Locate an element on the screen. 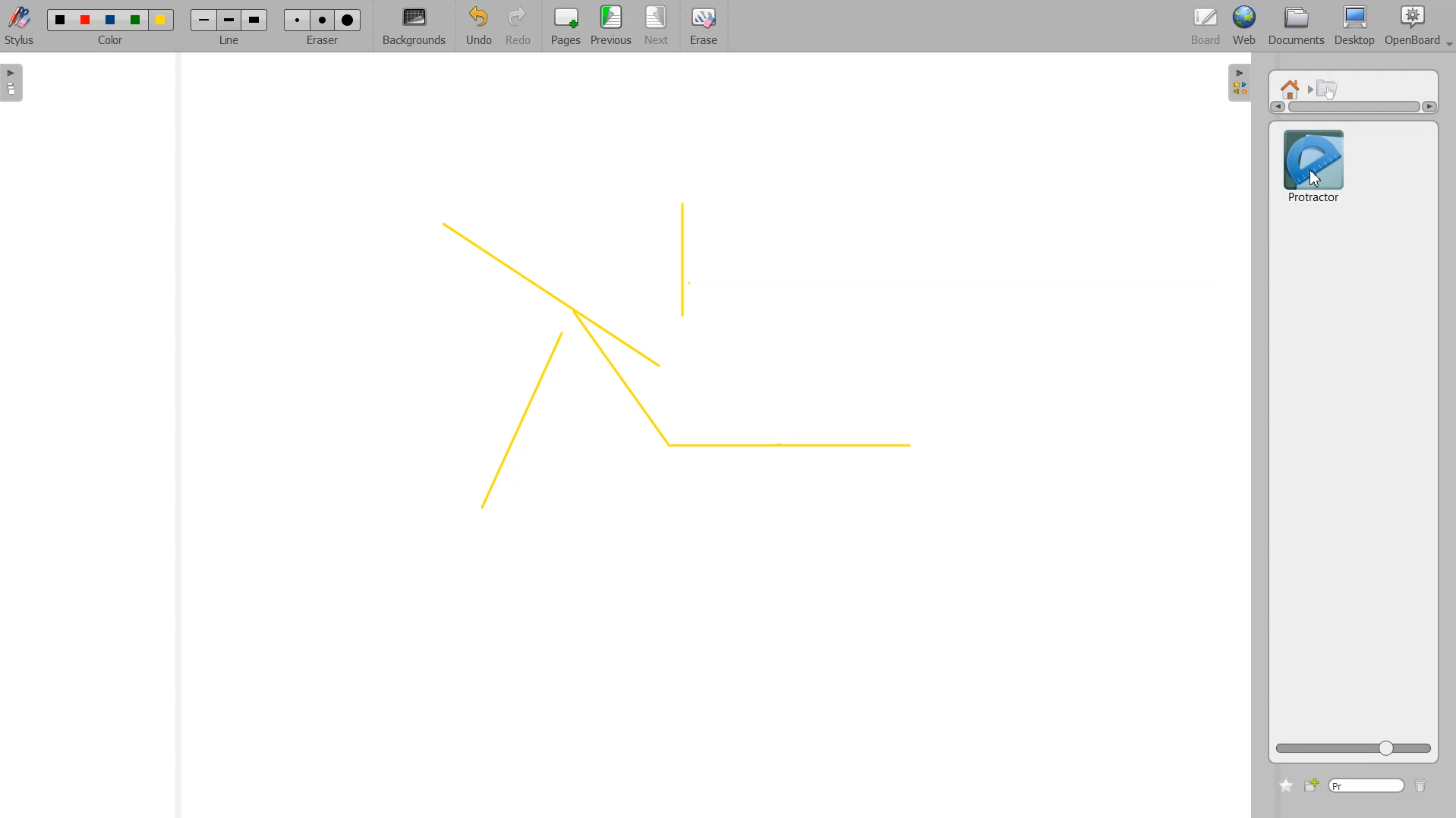 This screenshot has height=818, width=1456. Background is located at coordinates (414, 27).